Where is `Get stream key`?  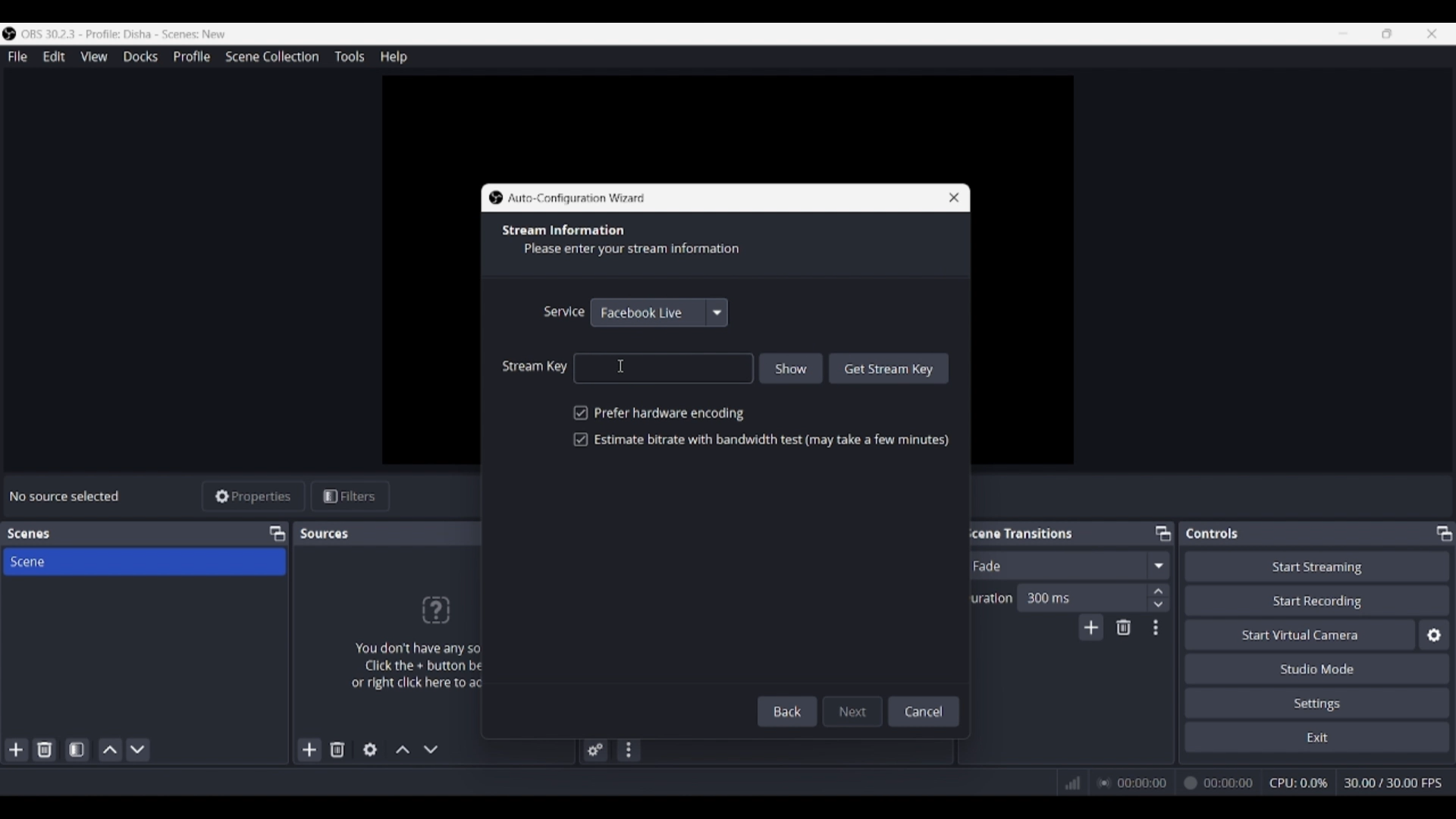
Get stream key is located at coordinates (890, 368).